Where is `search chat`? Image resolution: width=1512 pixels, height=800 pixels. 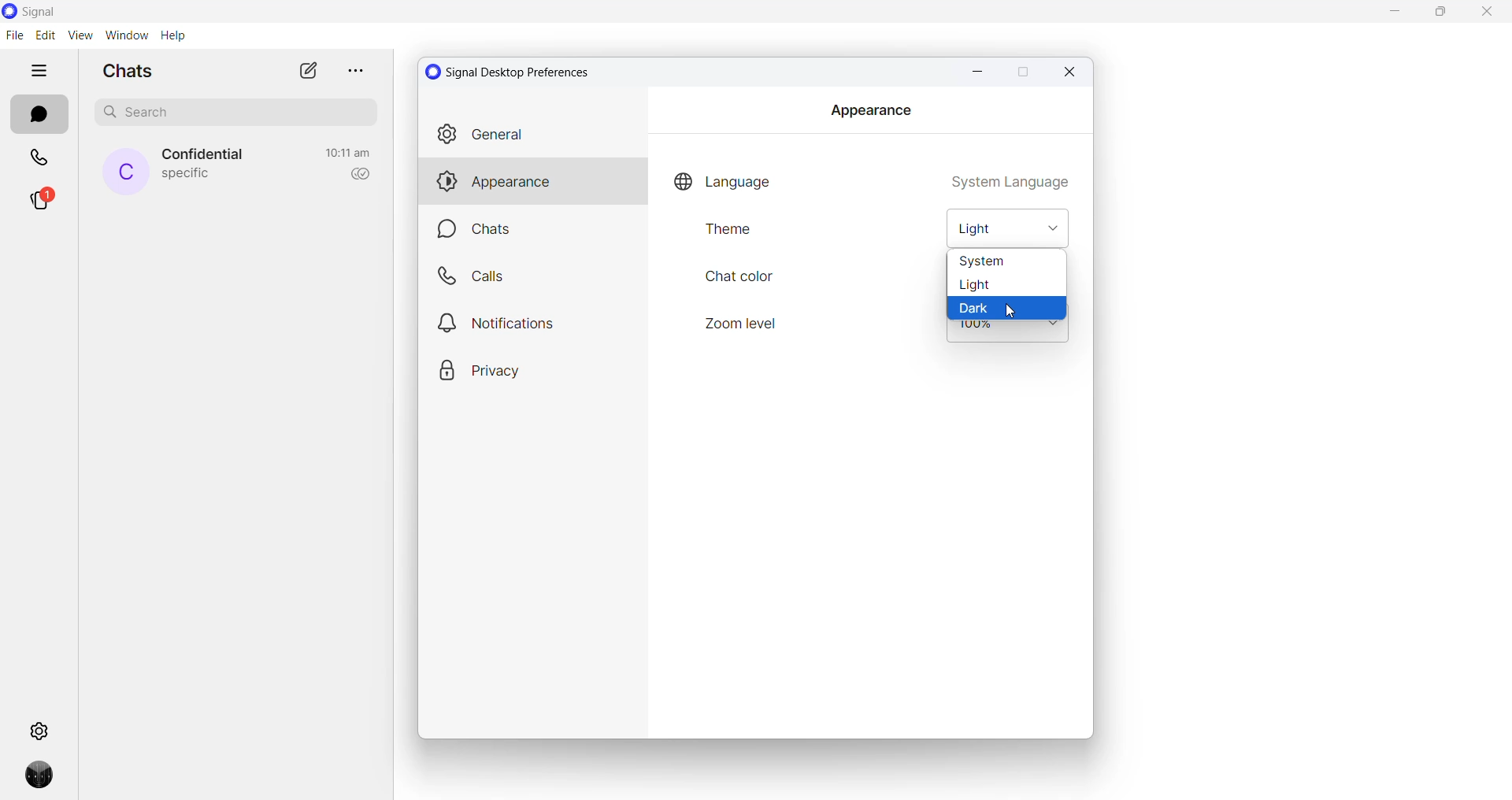 search chat is located at coordinates (242, 116).